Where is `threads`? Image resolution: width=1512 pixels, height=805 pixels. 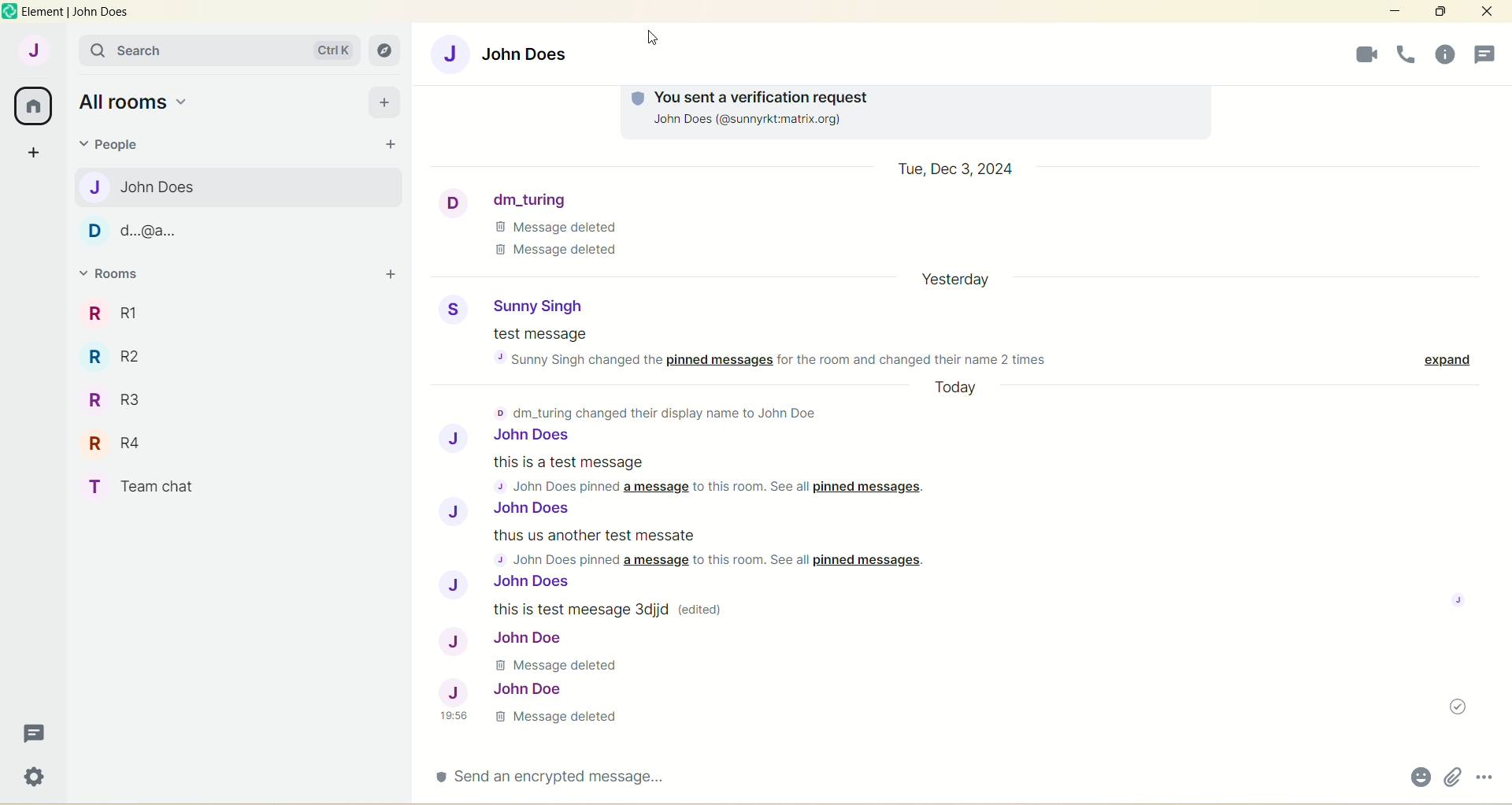
threads is located at coordinates (1439, 53).